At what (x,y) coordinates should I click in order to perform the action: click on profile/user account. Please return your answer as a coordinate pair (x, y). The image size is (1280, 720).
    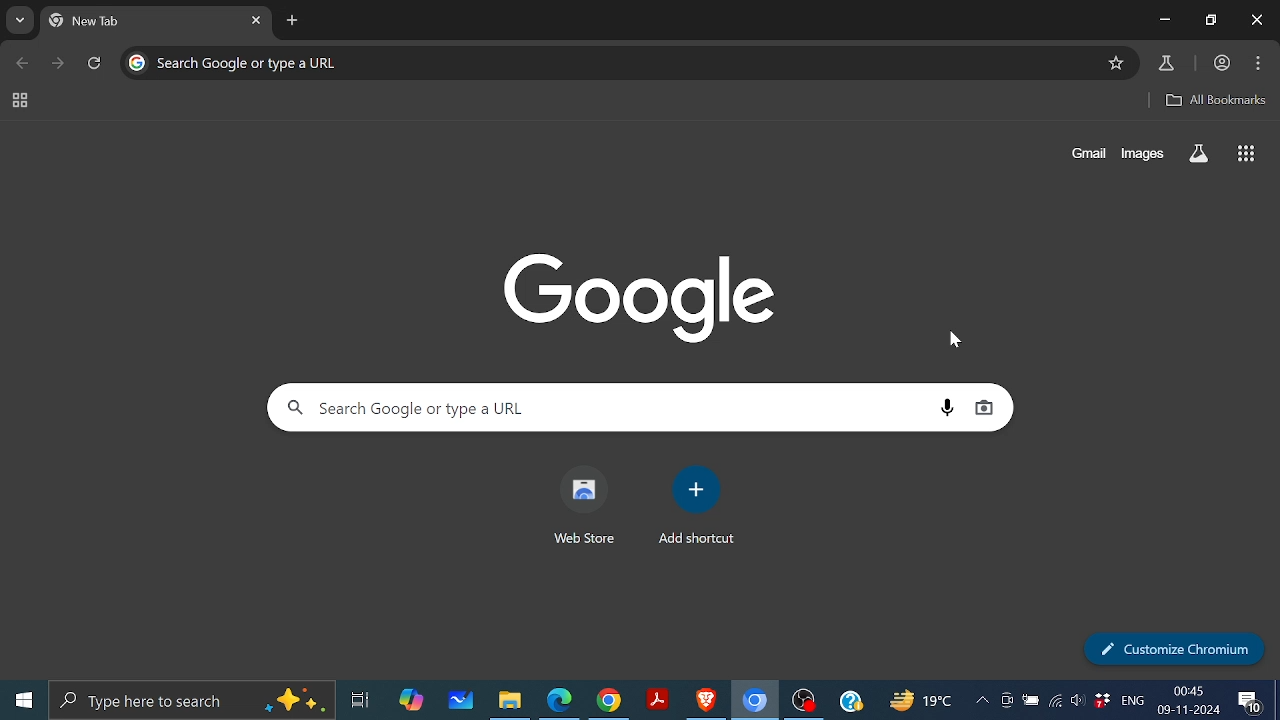
    Looking at the image, I should click on (1219, 63).